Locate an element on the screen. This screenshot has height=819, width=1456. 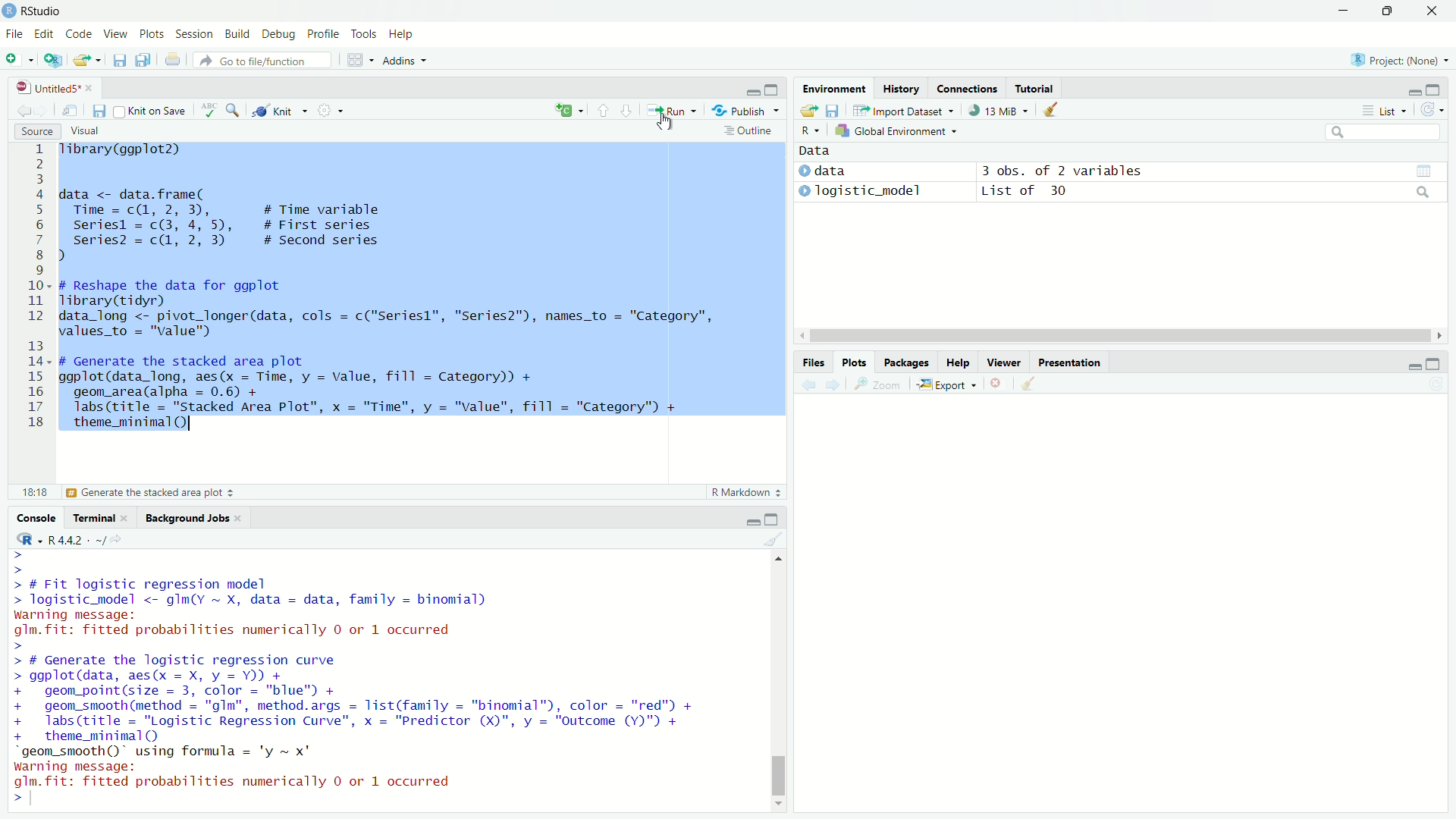
Environment is located at coordinates (833, 88).